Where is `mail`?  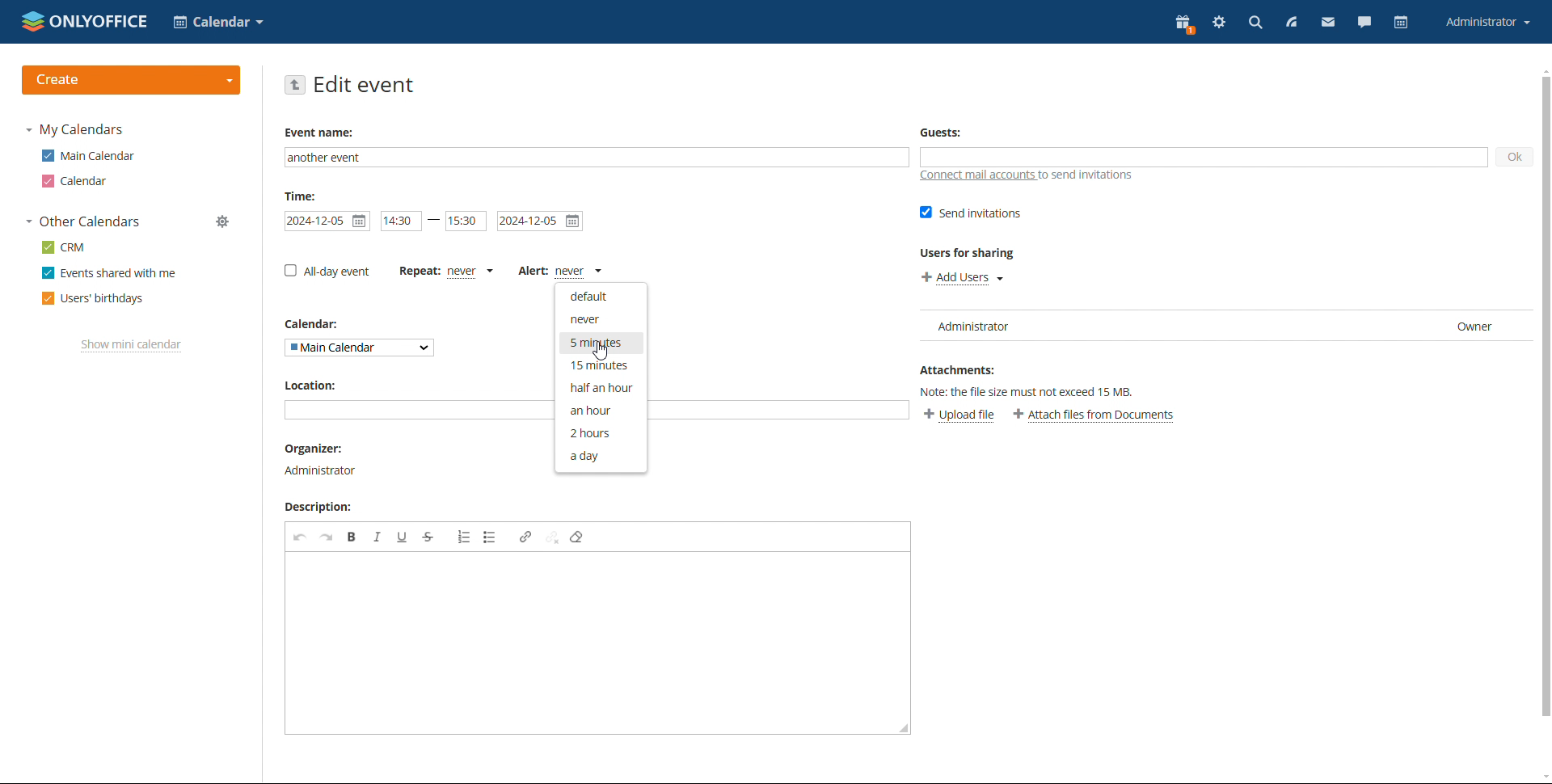
mail is located at coordinates (1329, 24).